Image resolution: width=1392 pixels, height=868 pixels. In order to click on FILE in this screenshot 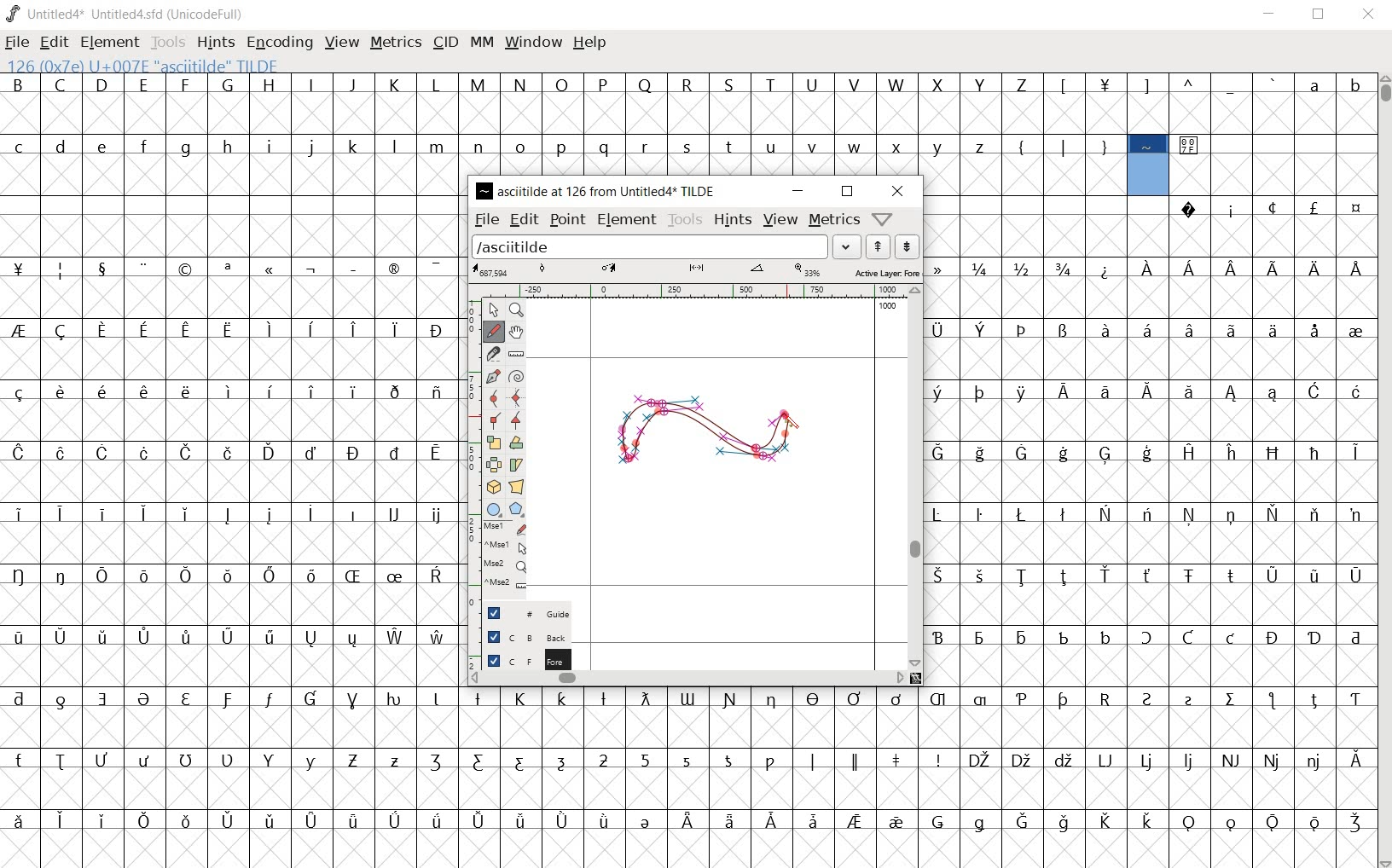, I will do `click(18, 41)`.